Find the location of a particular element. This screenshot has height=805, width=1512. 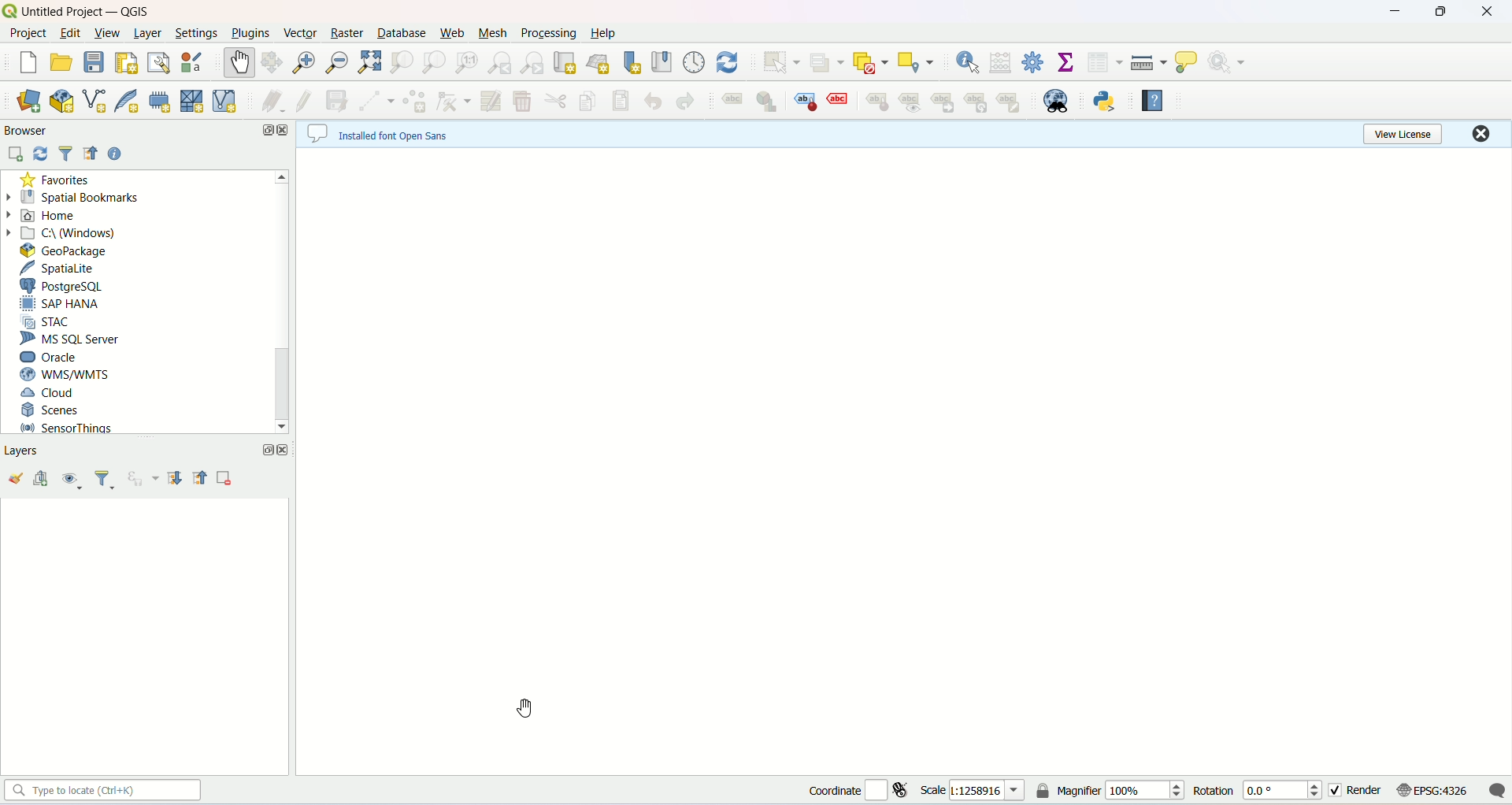

new geopackage layer is located at coordinates (62, 101).